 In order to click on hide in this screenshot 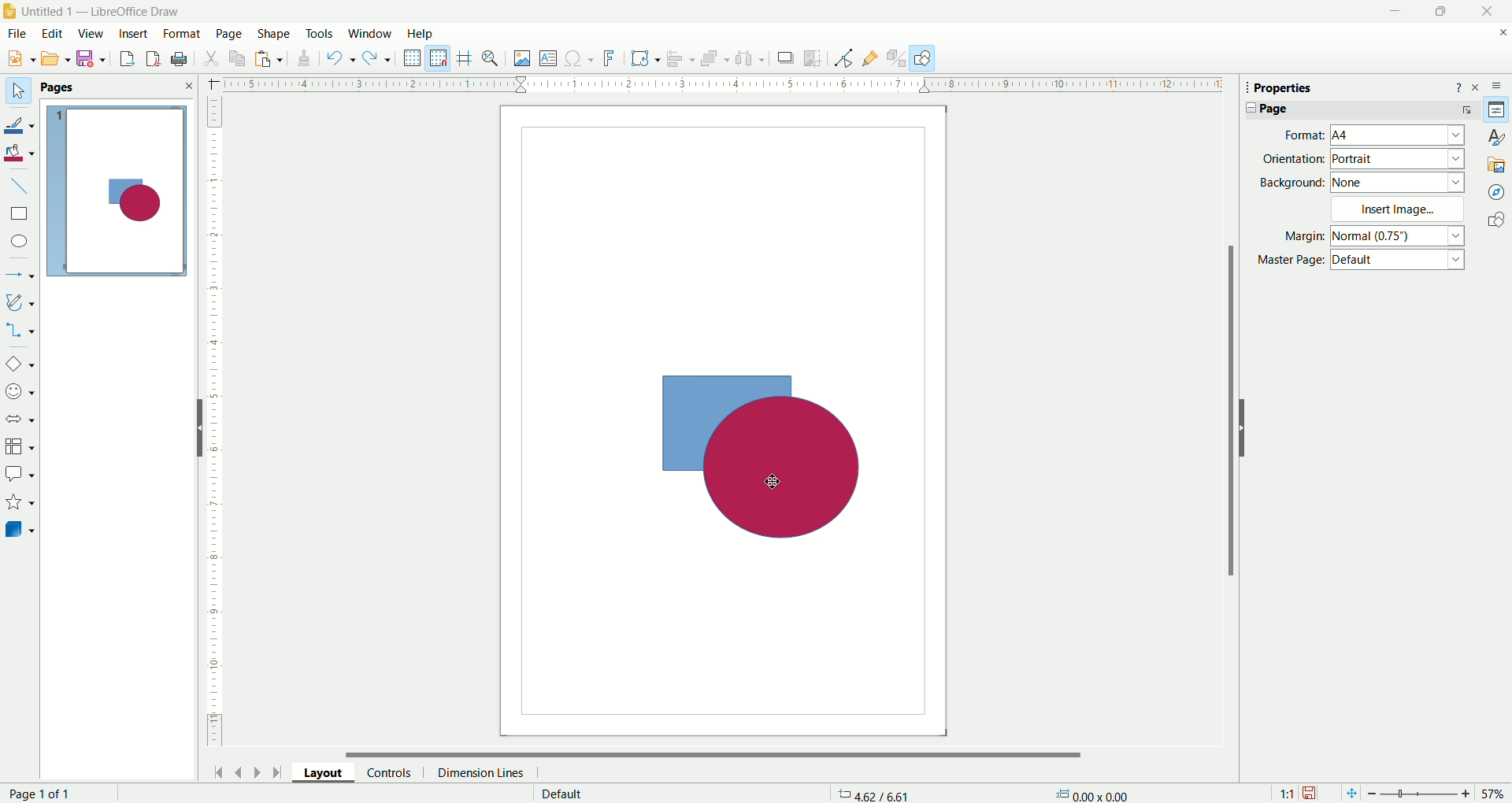, I will do `click(1246, 426)`.